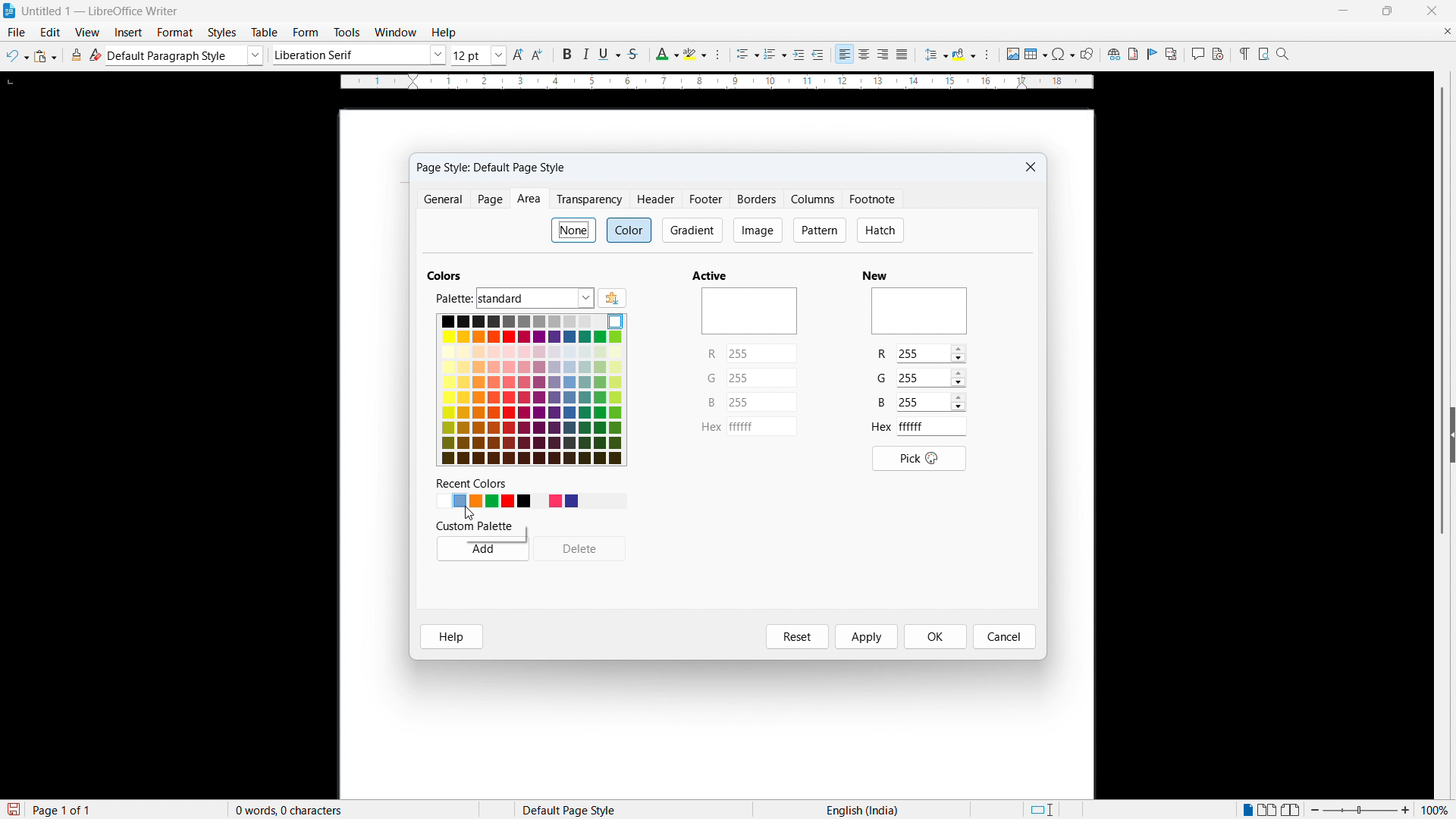 Image resolution: width=1456 pixels, height=819 pixels. I want to click on Table , so click(266, 33).